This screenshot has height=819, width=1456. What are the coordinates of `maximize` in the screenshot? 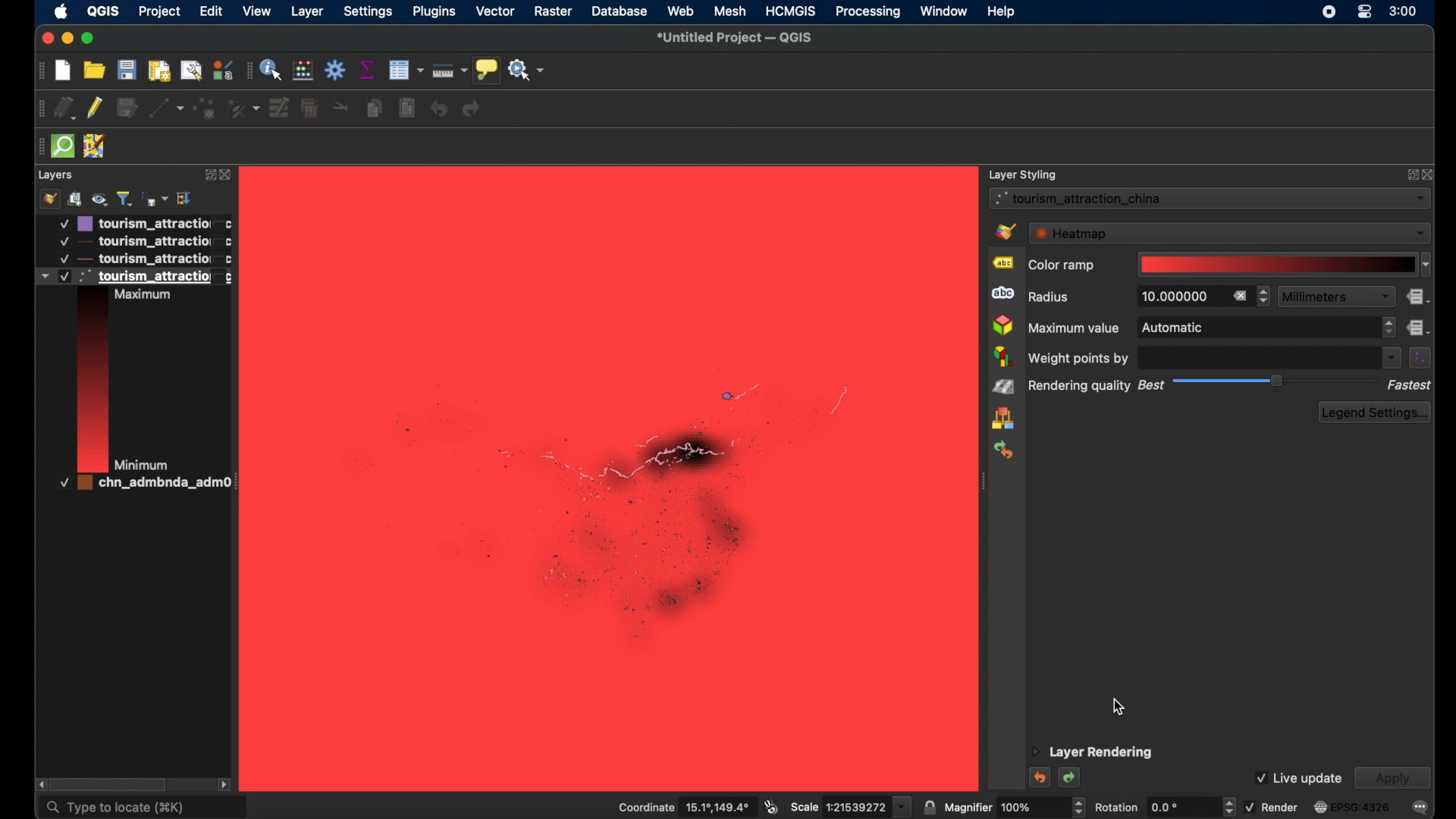 It's located at (90, 39).